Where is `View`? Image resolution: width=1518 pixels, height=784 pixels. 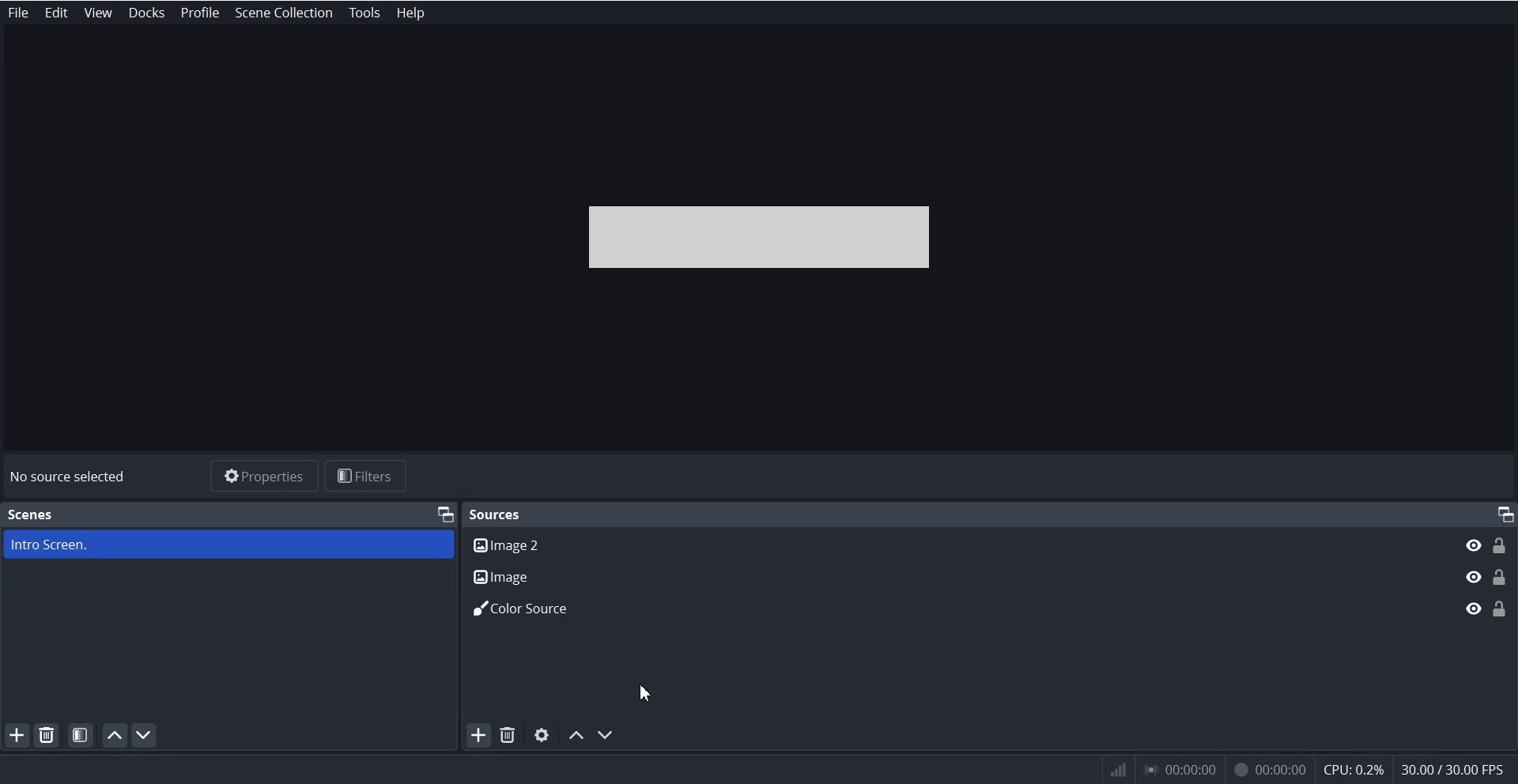
View is located at coordinates (97, 13).